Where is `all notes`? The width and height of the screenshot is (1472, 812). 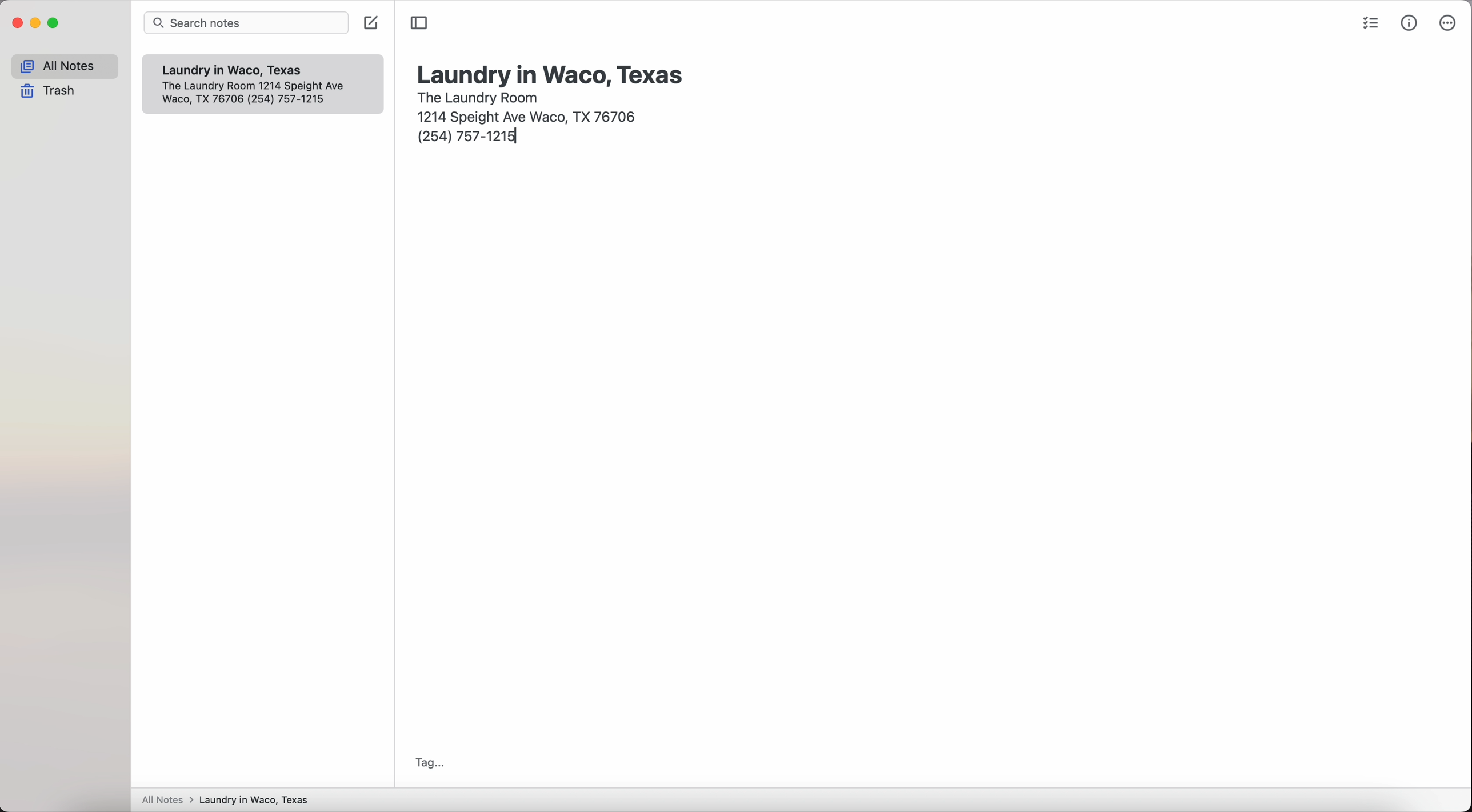
all notes is located at coordinates (65, 66).